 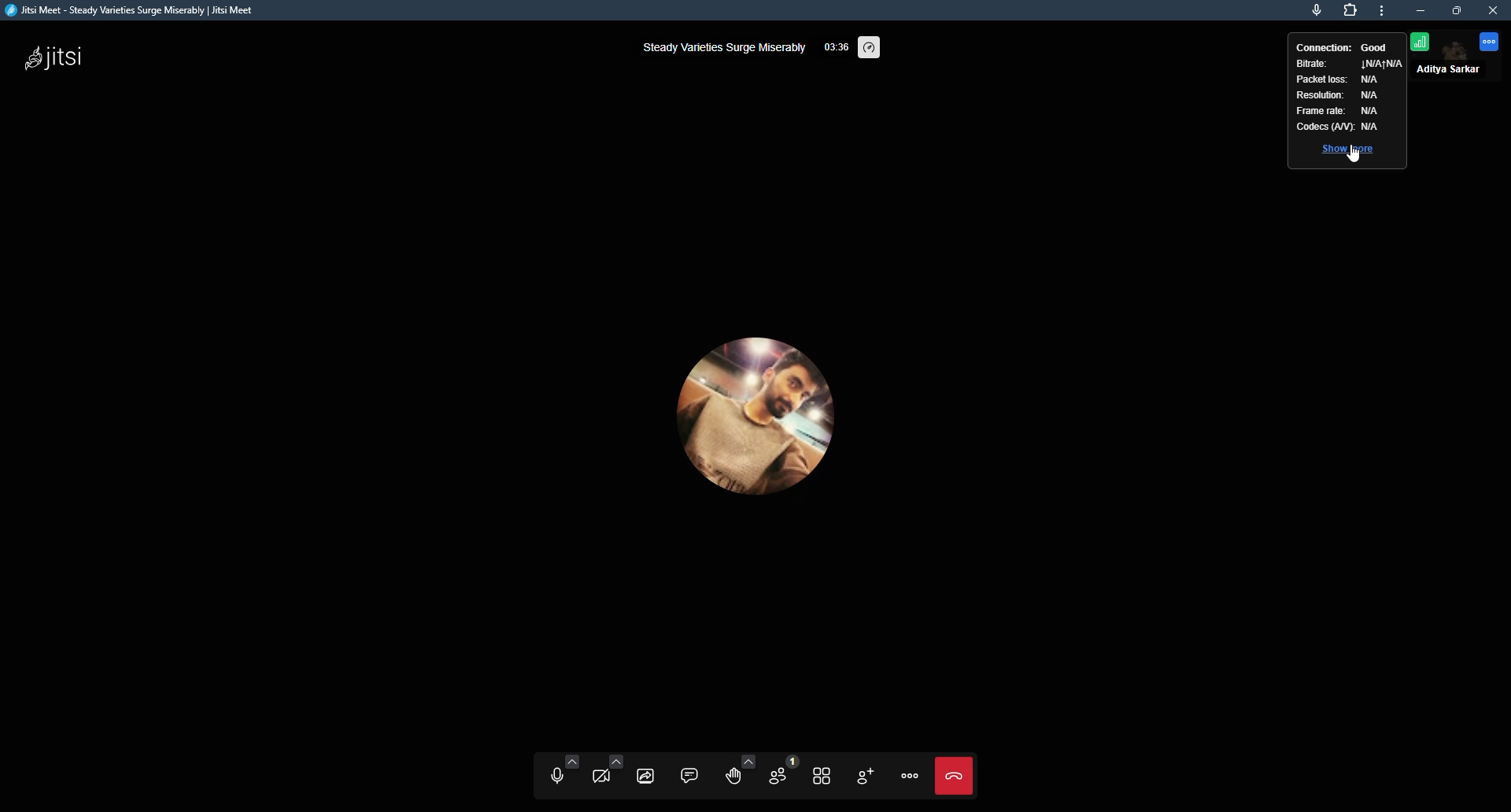 What do you see at coordinates (871, 47) in the screenshot?
I see `performance setting` at bounding box center [871, 47].